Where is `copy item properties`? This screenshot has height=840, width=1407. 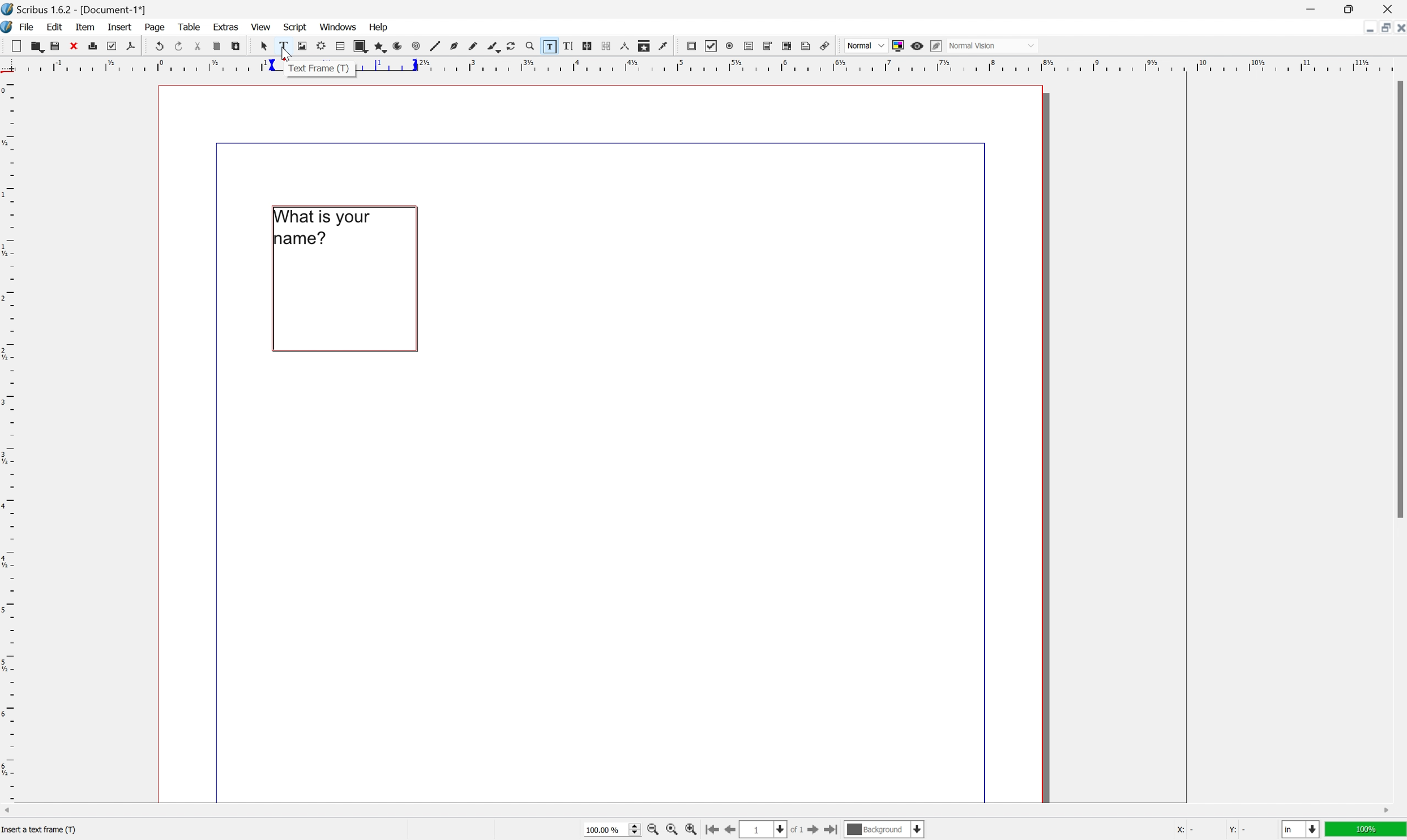
copy item properties is located at coordinates (643, 46).